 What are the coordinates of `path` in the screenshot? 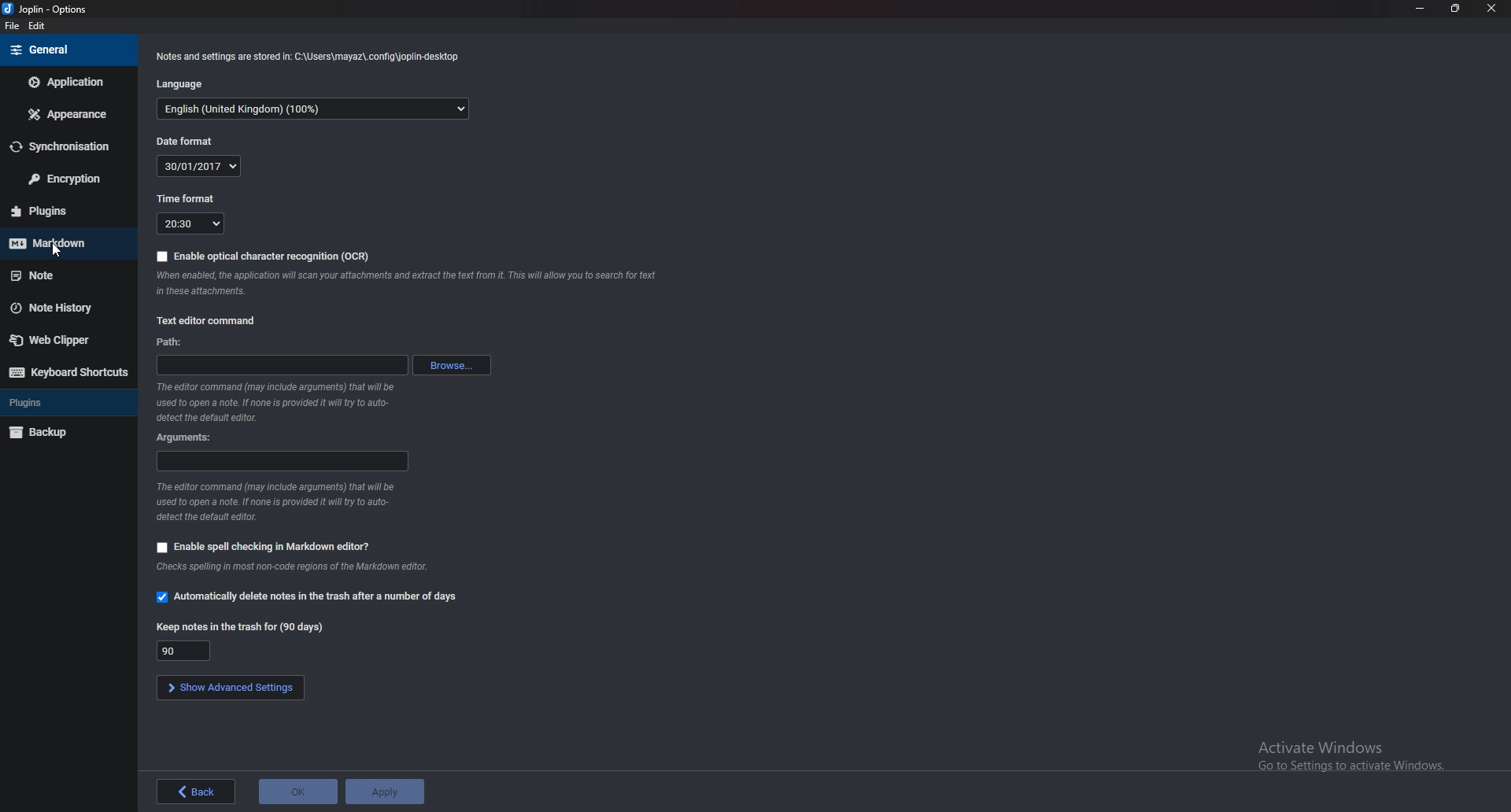 It's located at (169, 341).